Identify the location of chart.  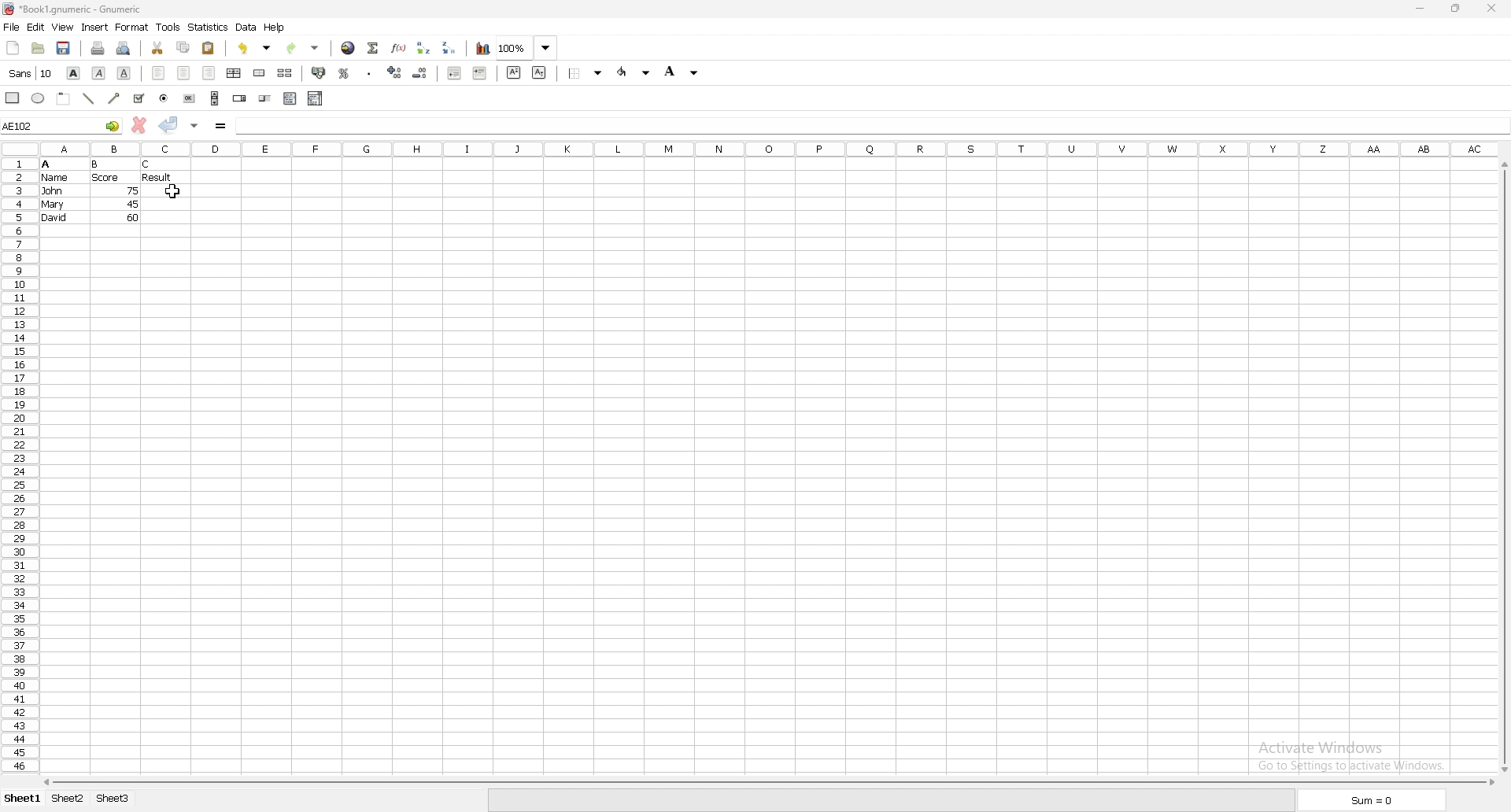
(483, 49).